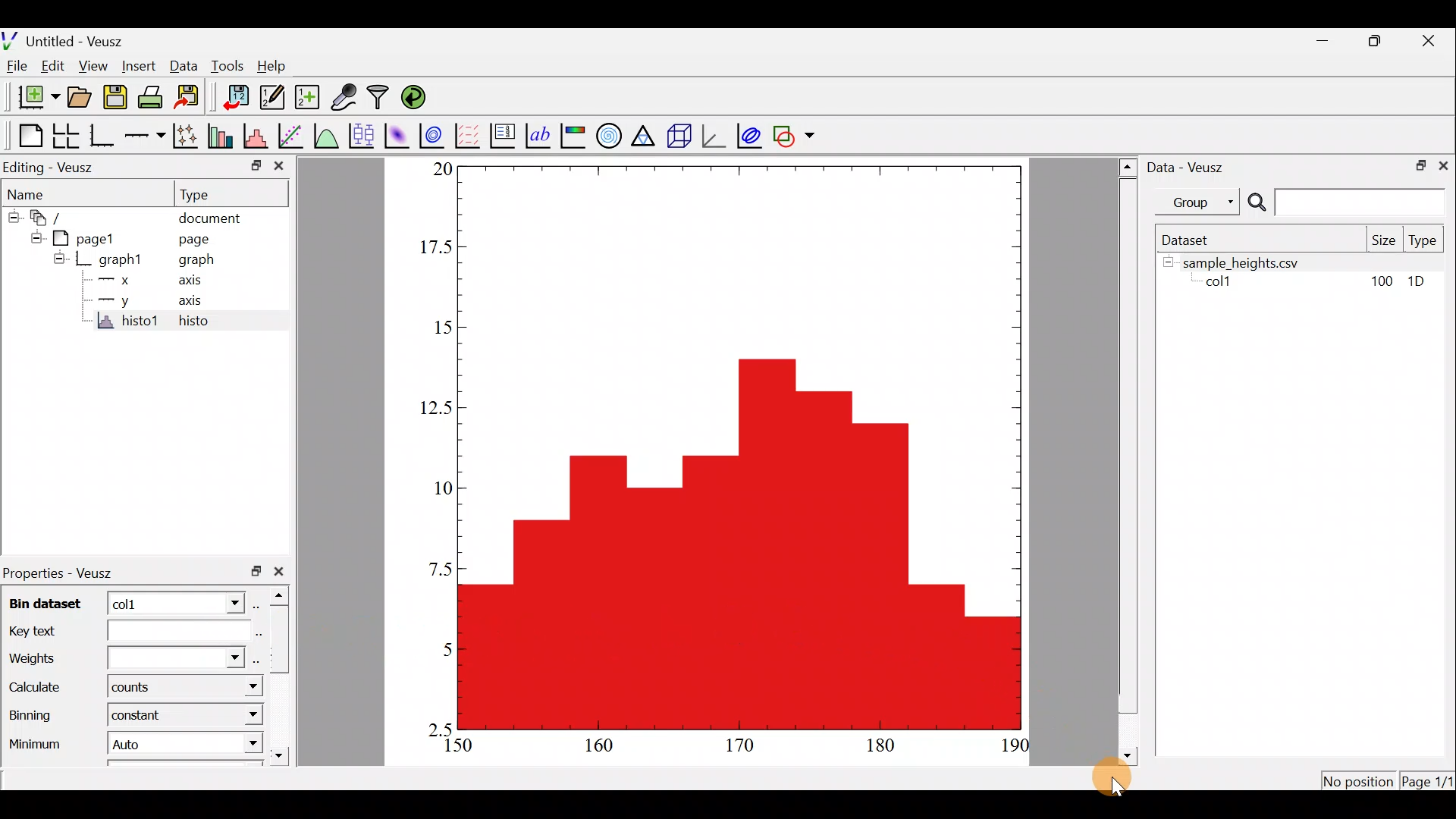  What do you see at coordinates (92, 239) in the screenshot?
I see `page` at bounding box center [92, 239].